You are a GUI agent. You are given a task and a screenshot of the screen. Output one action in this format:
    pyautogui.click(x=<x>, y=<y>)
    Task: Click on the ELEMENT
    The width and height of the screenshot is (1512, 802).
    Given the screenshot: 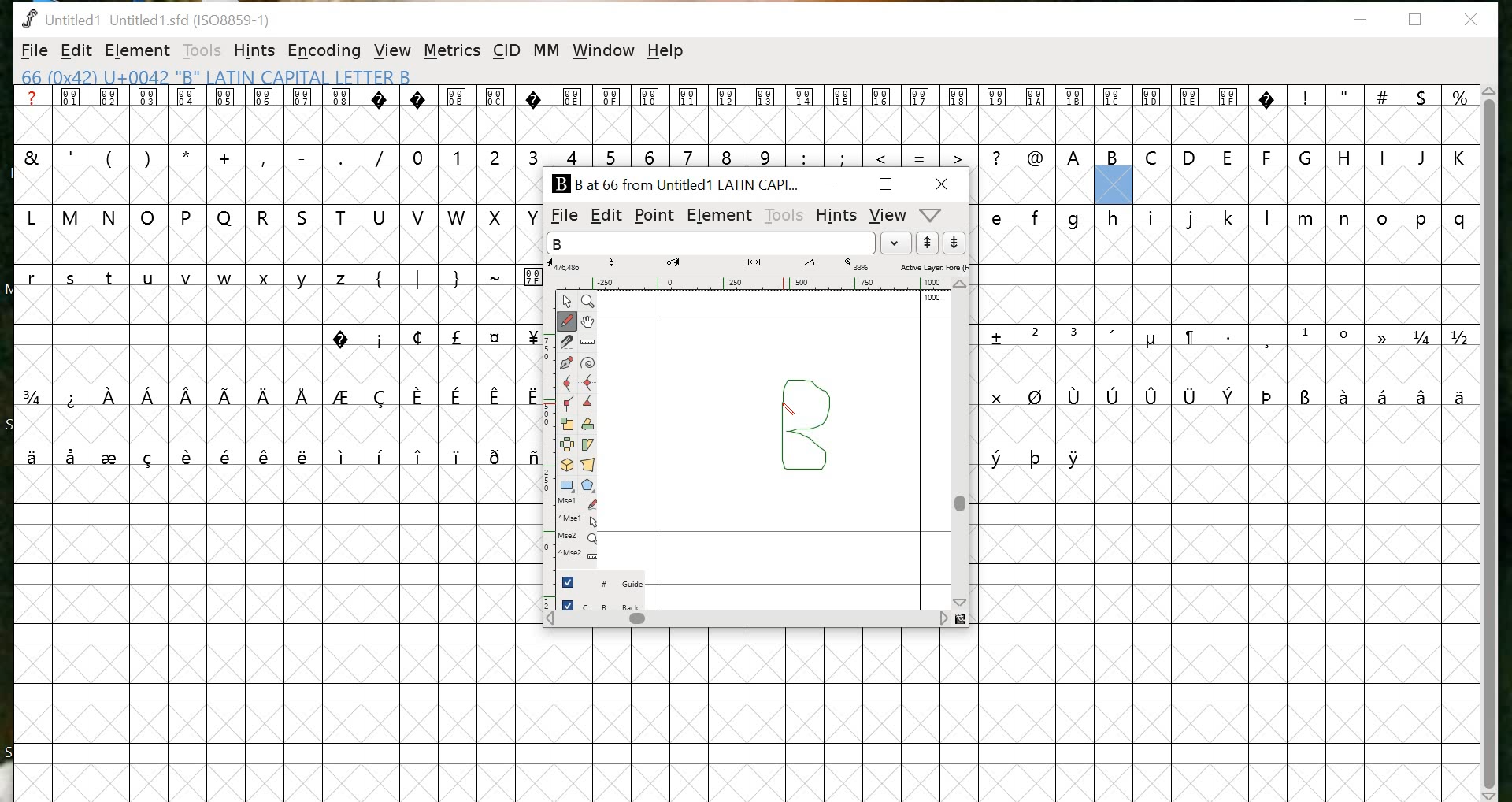 What is the action you would take?
    pyautogui.click(x=719, y=216)
    